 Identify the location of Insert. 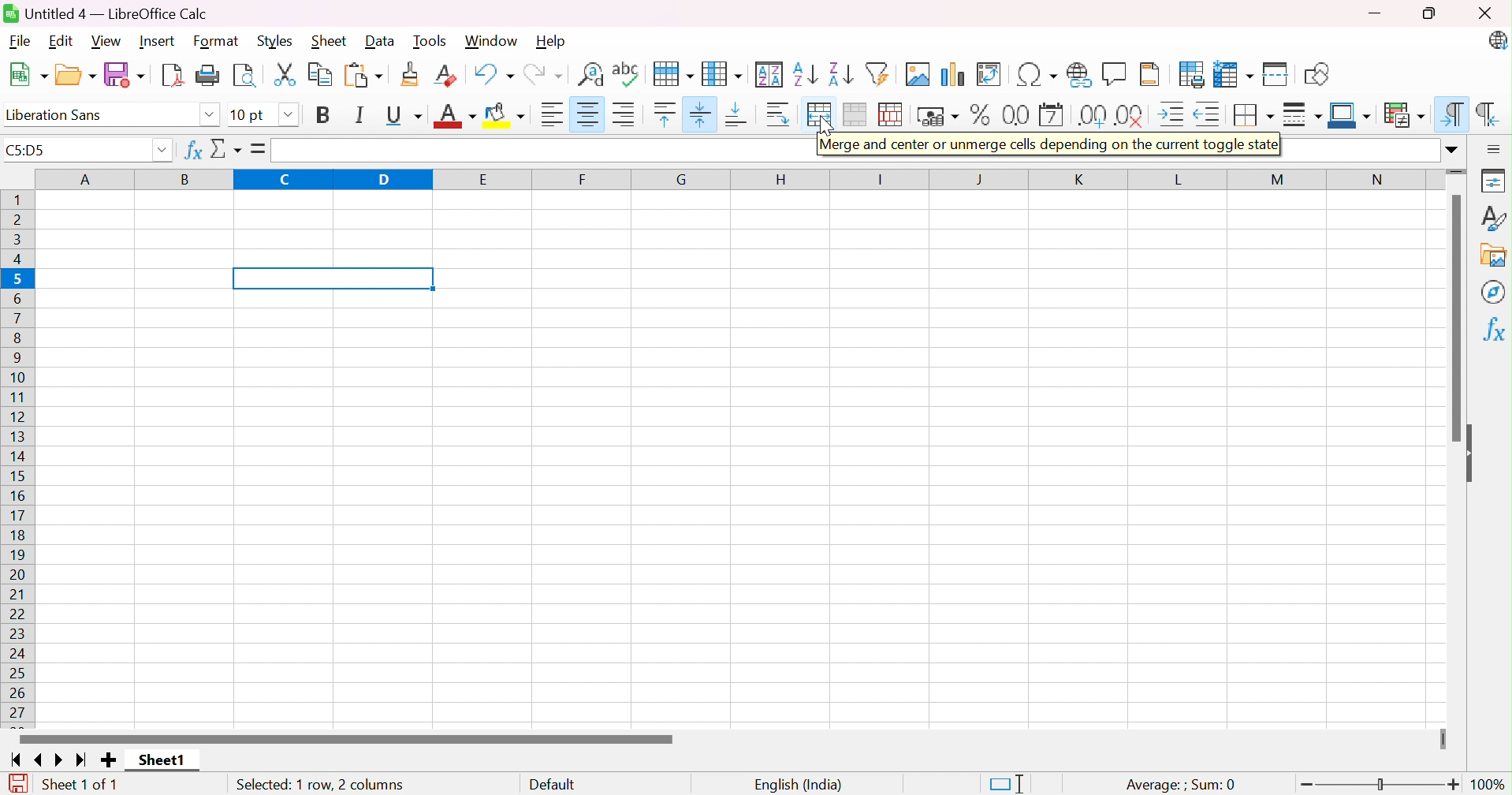
(158, 40).